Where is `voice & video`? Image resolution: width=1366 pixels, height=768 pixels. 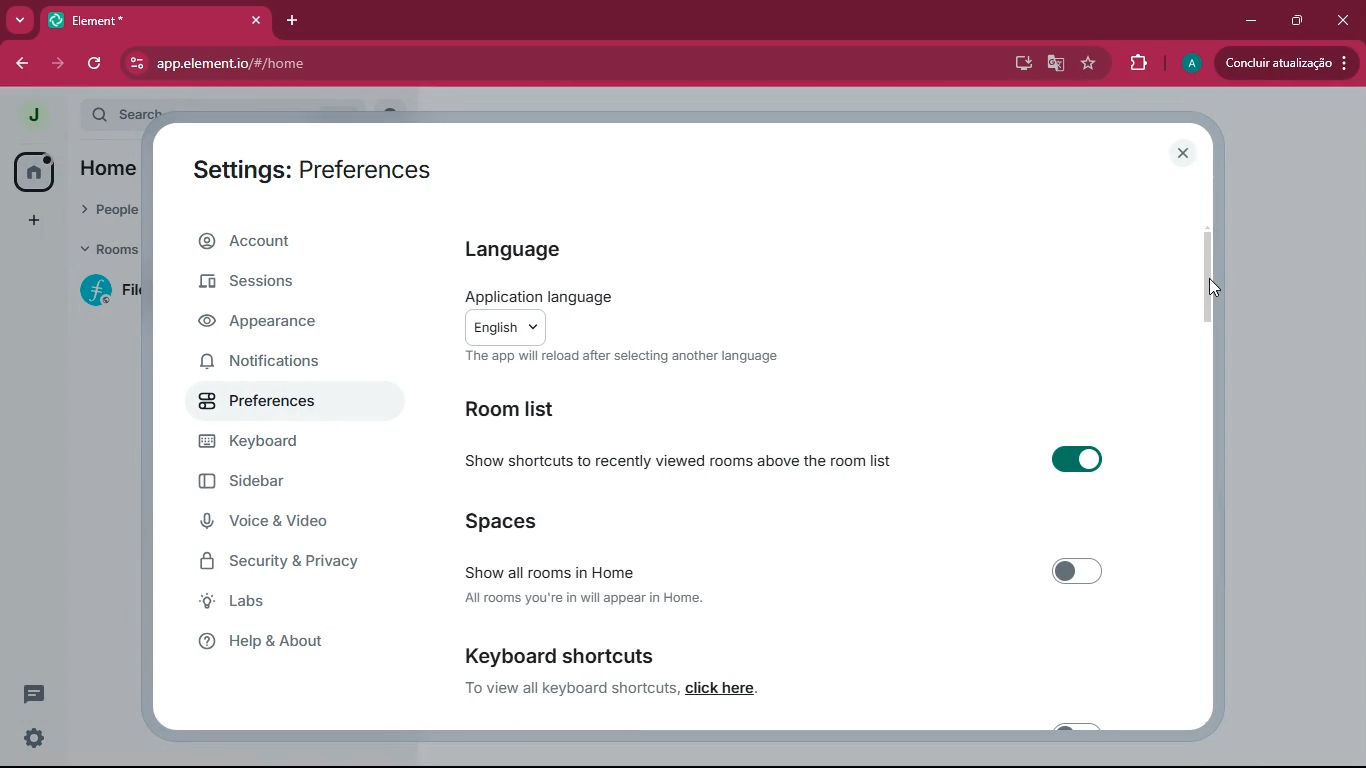
voice & video is located at coordinates (281, 522).